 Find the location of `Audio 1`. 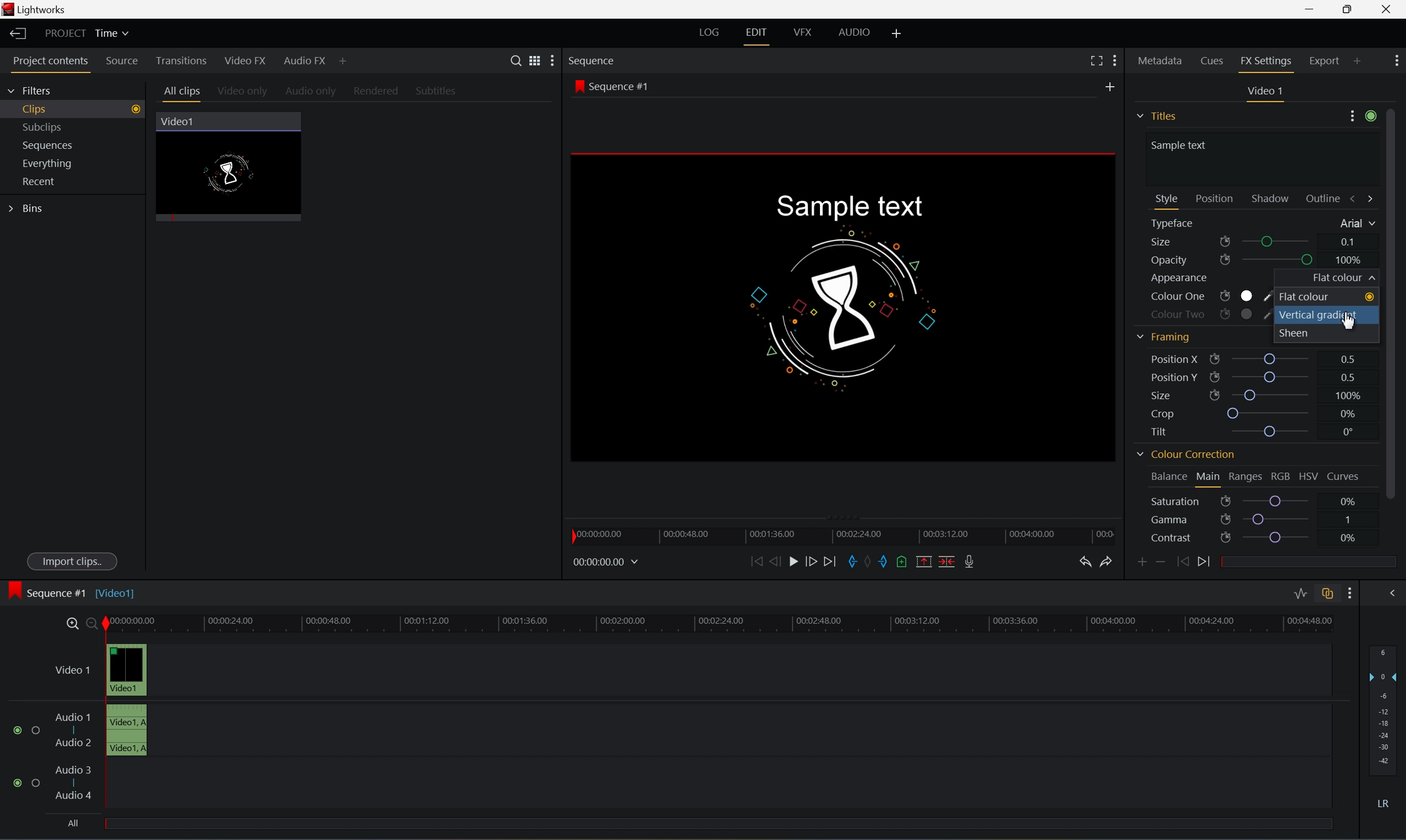

Audio 1 is located at coordinates (73, 717).